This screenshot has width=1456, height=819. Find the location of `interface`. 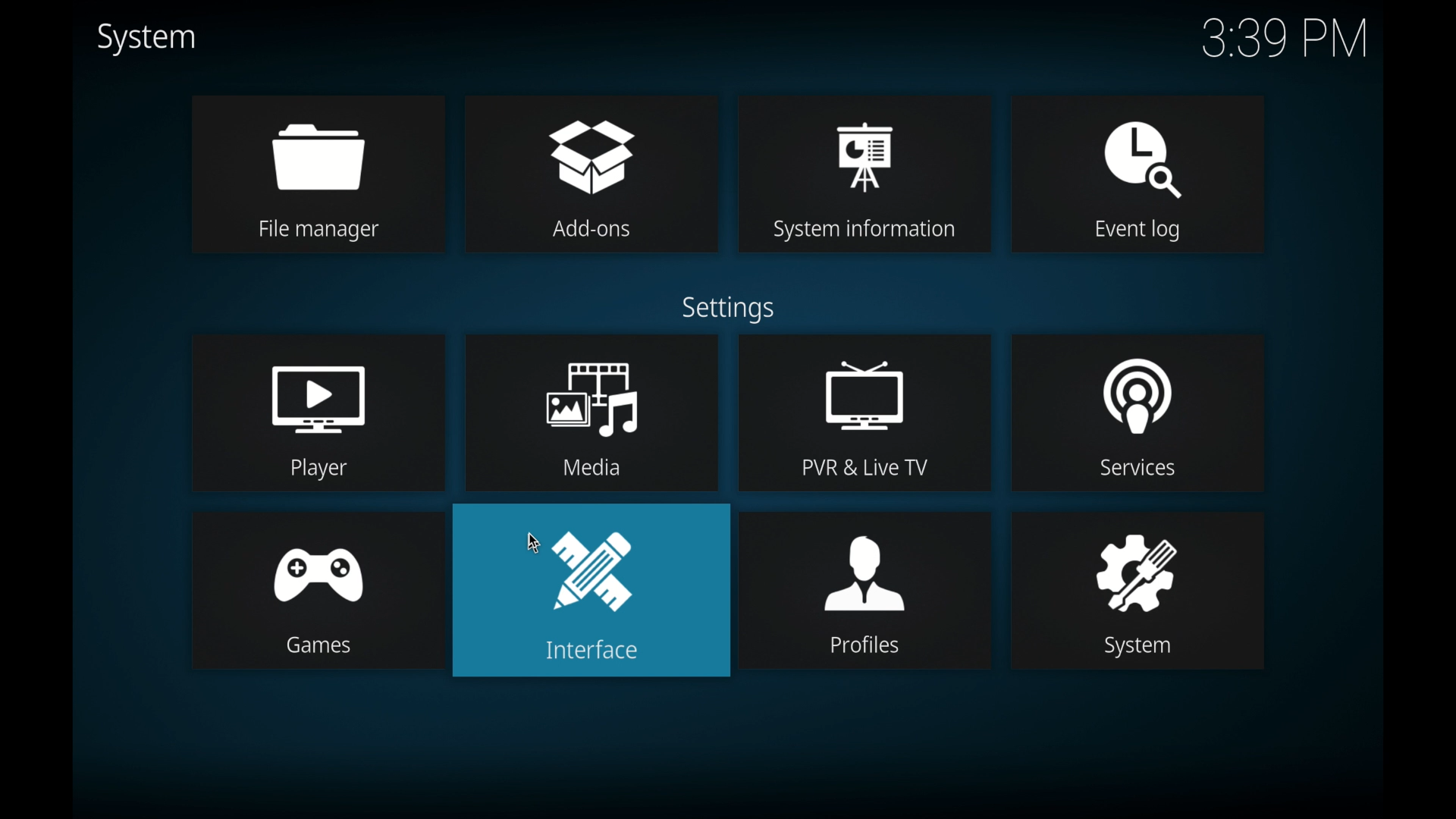

interface is located at coordinates (591, 591).